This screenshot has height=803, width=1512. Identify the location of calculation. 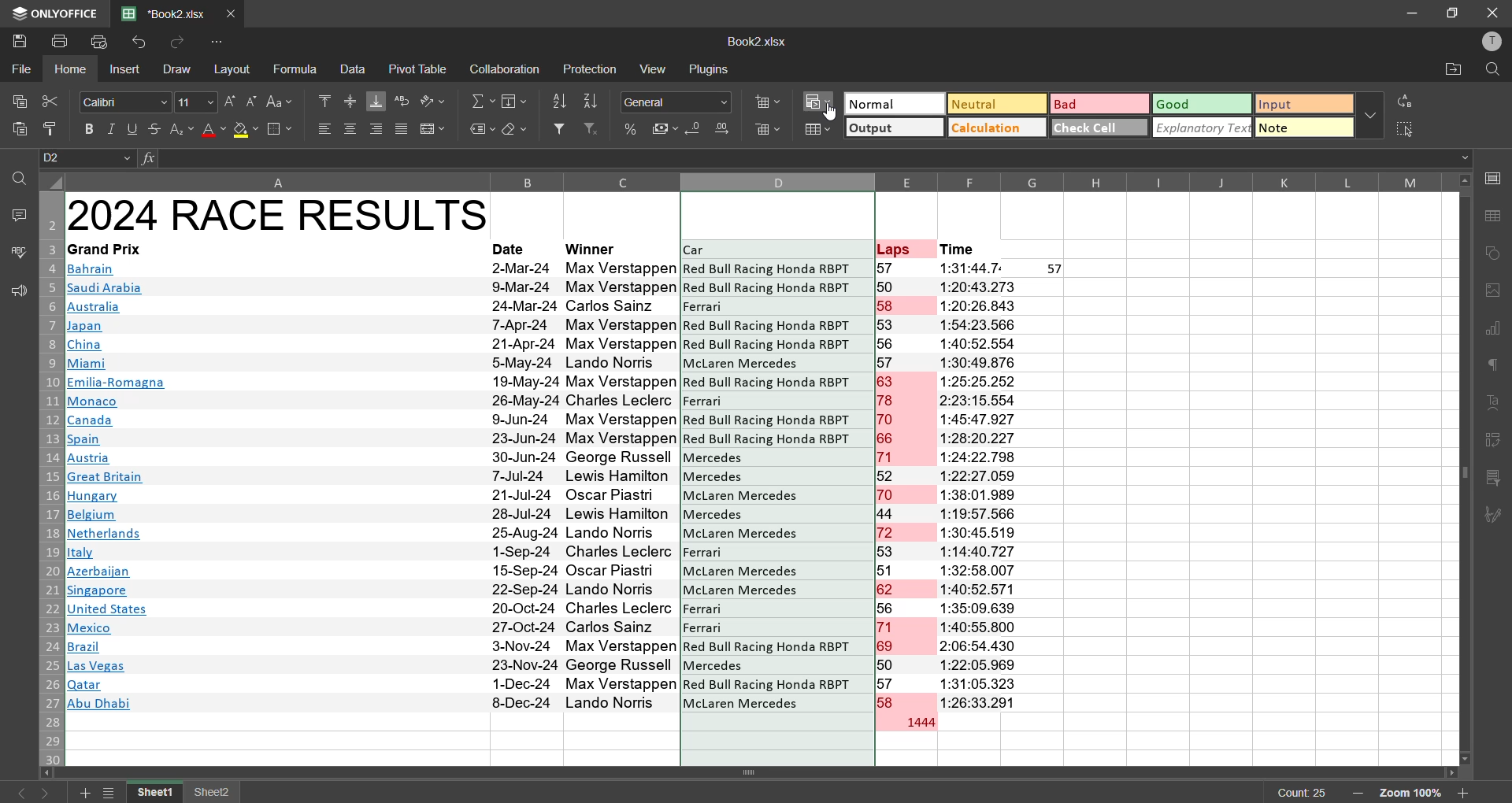
(993, 127).